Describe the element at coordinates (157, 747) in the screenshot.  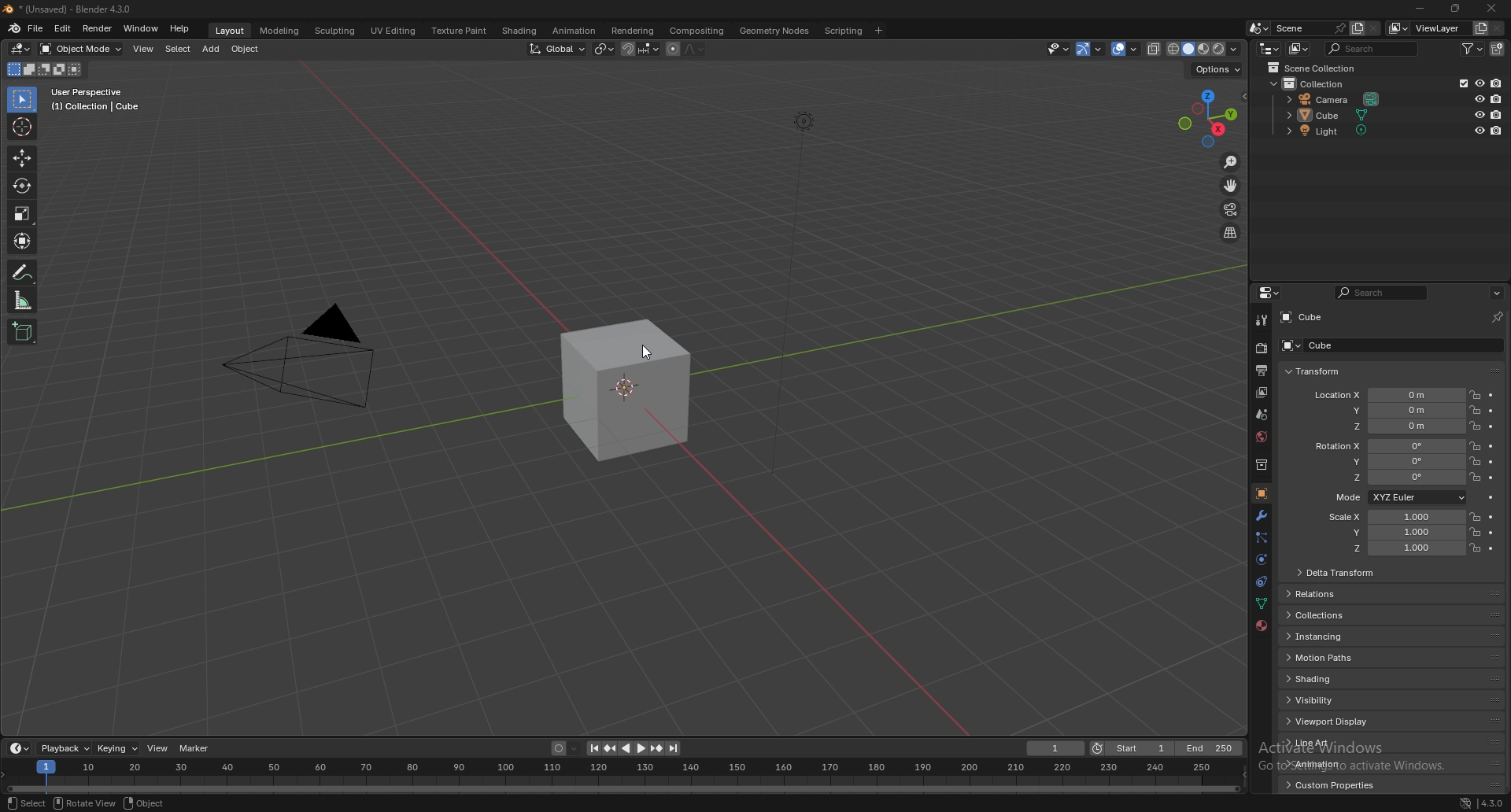
I see `view` at that location.